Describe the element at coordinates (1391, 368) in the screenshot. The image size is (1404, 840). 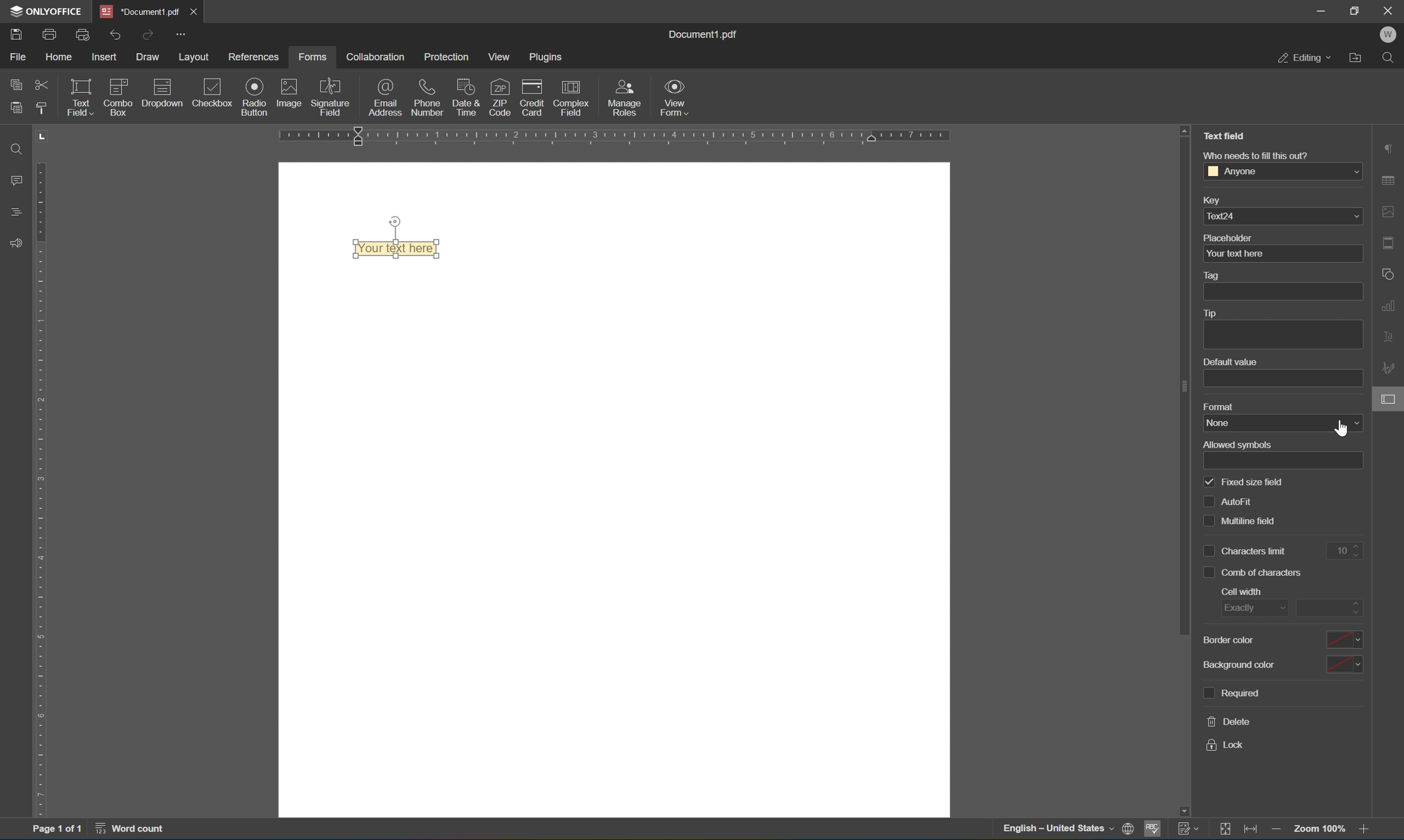
I see `signature settings` at that location.